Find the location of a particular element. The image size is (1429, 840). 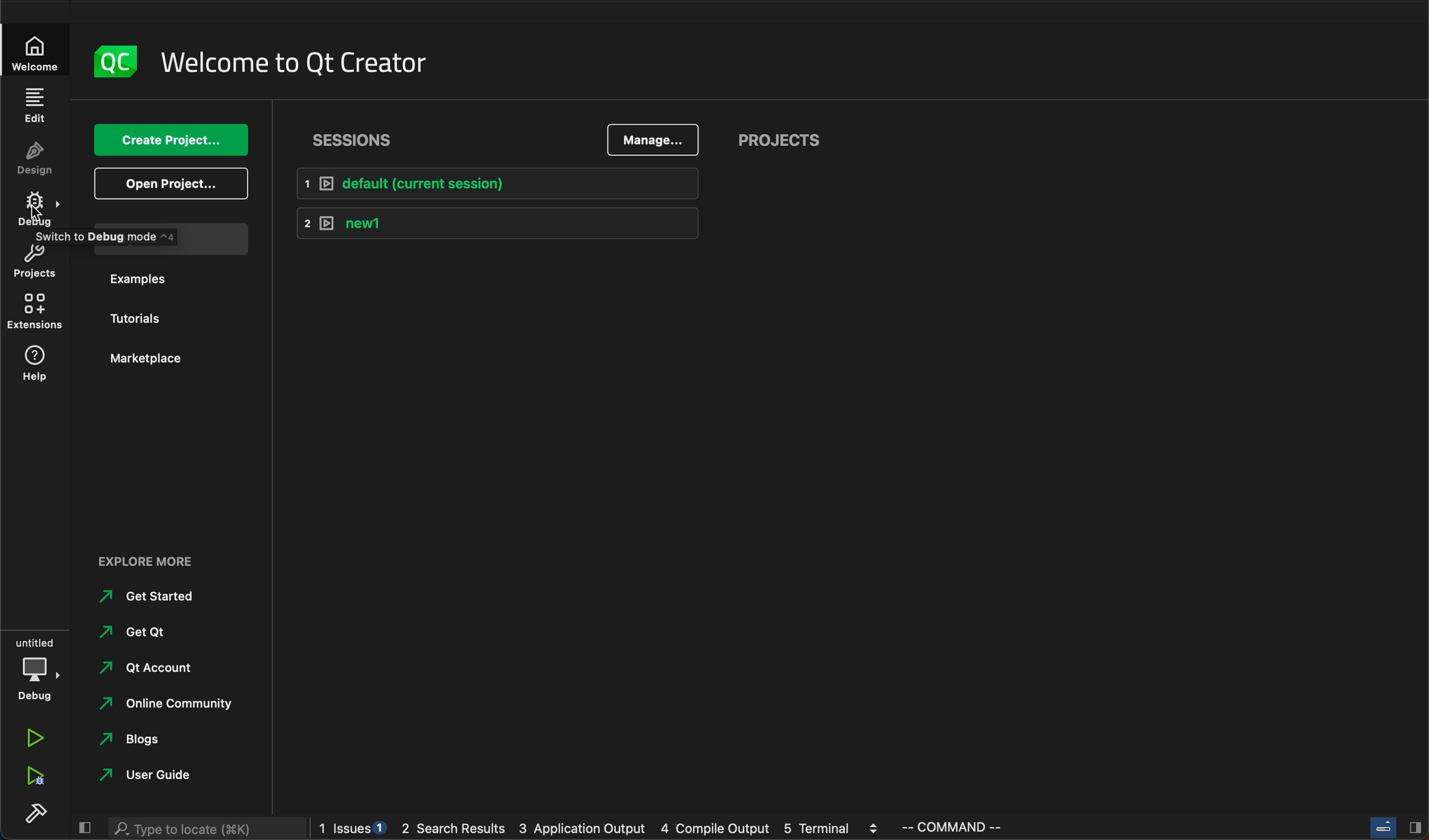

create is located at coordinates (171, 140).